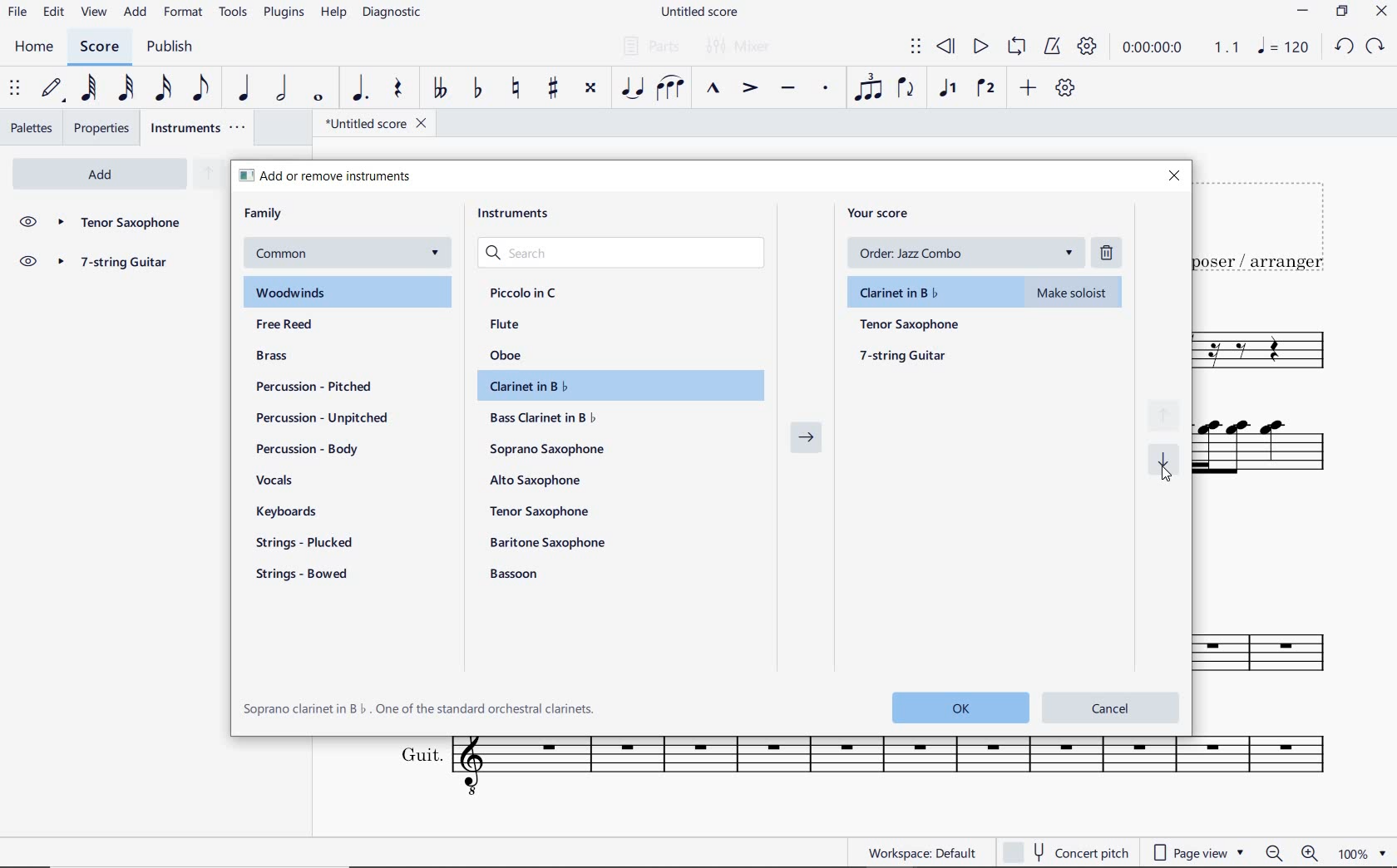 Image resolution: width=1397 pixels, height=868 pixels. What do you see at coordinates (509, 355) in the screenshot?
I see `oboe` at bounding box center [509, 355].